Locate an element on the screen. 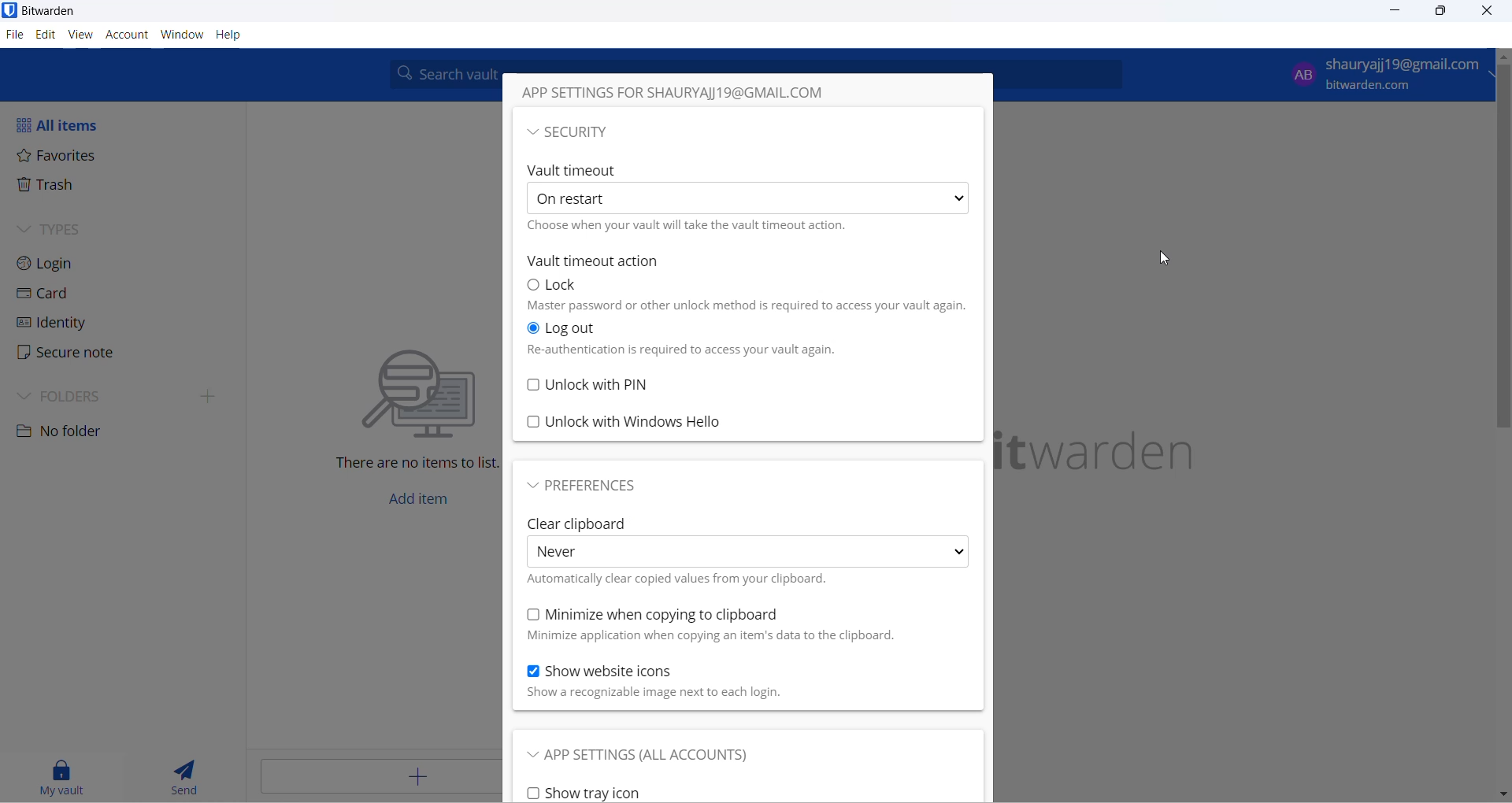 This screenshot has width=1512, height=803. Card is located at coordinates (54, 297).